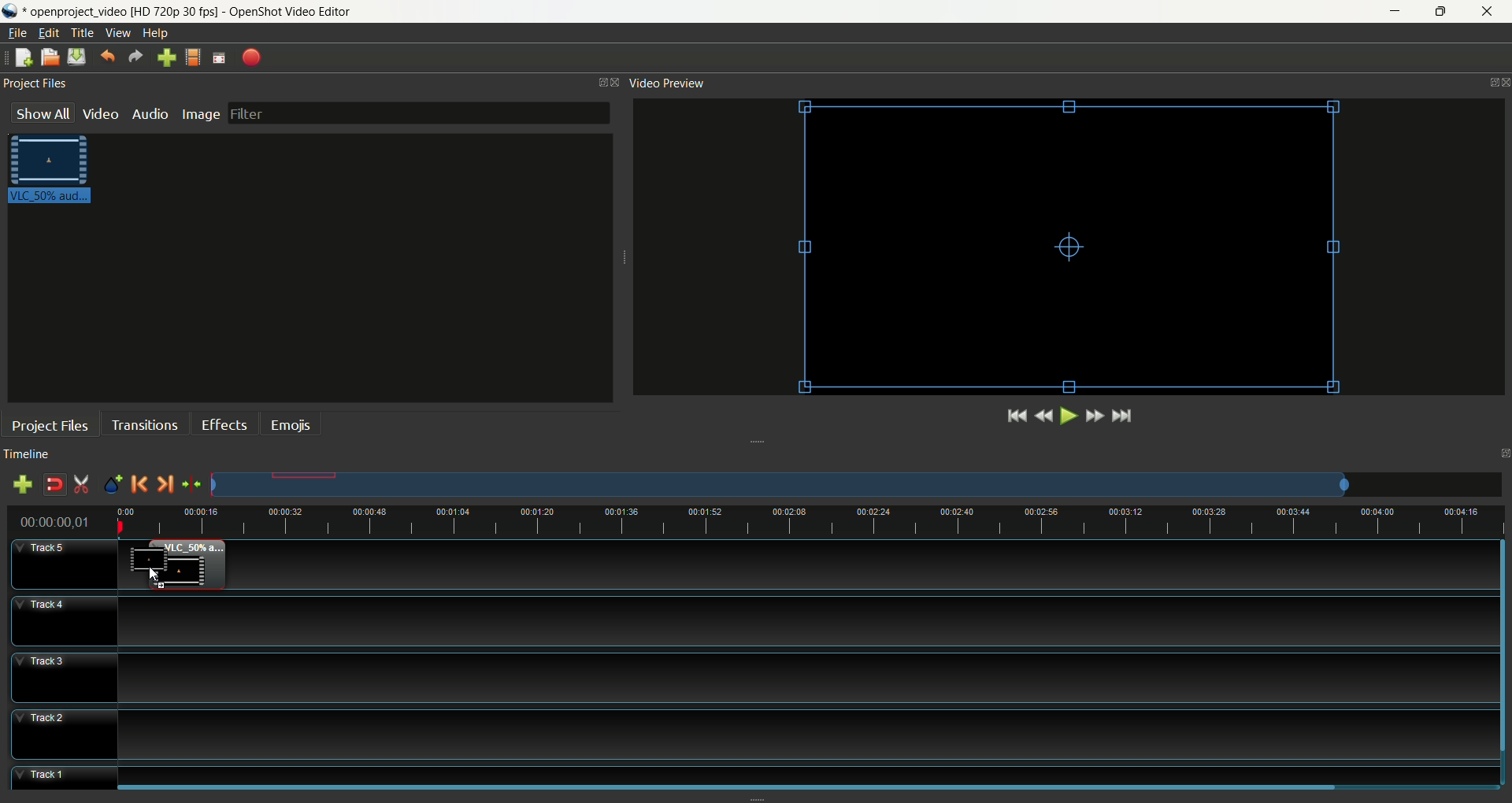 Image resolution: width=1512 pixels, height=803 pixels. I want to click on video, so click(100, 117).